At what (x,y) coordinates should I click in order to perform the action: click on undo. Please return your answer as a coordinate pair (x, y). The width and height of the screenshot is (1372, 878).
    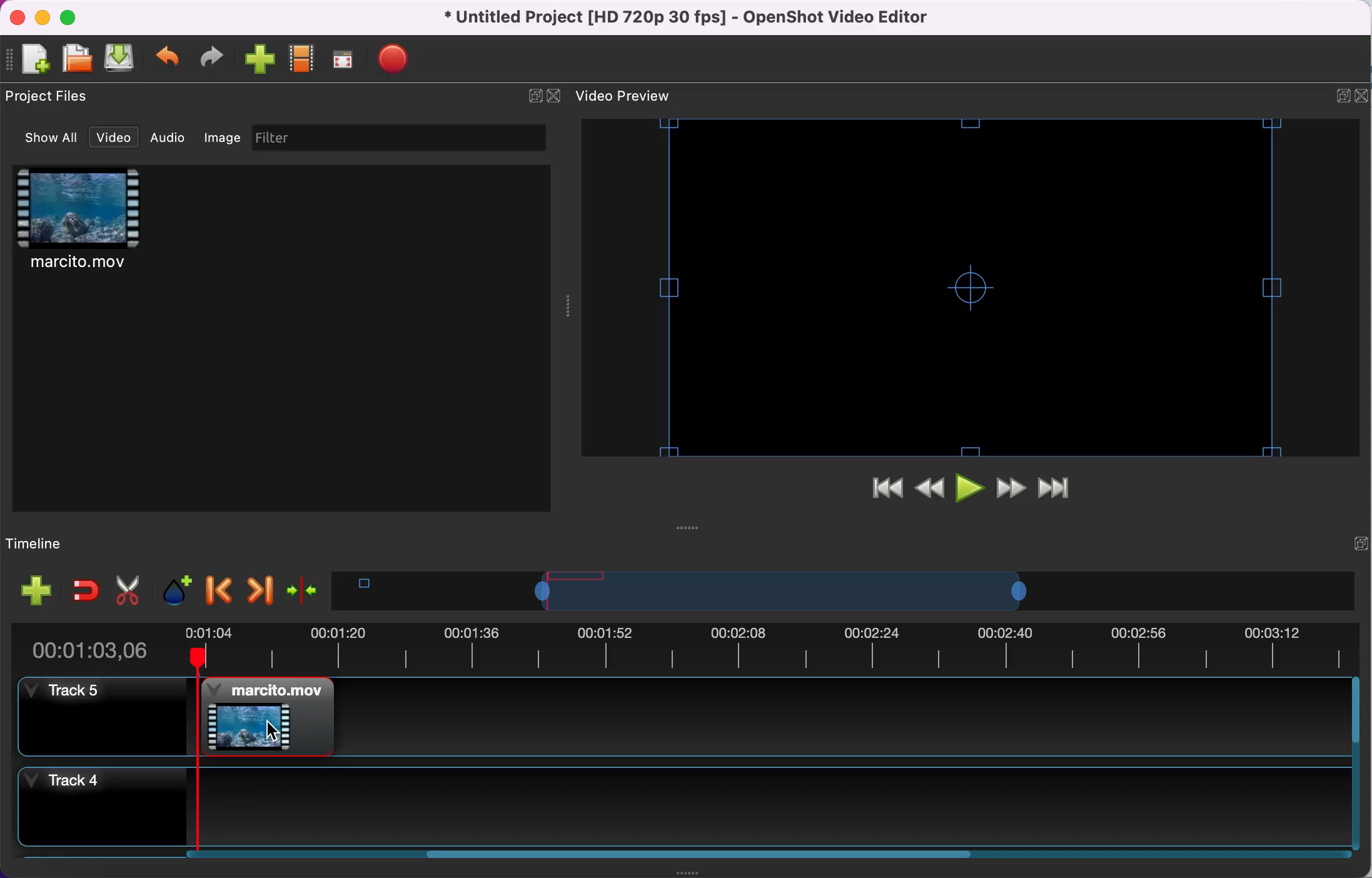
    Looking at the image, I should click on (169, 59).